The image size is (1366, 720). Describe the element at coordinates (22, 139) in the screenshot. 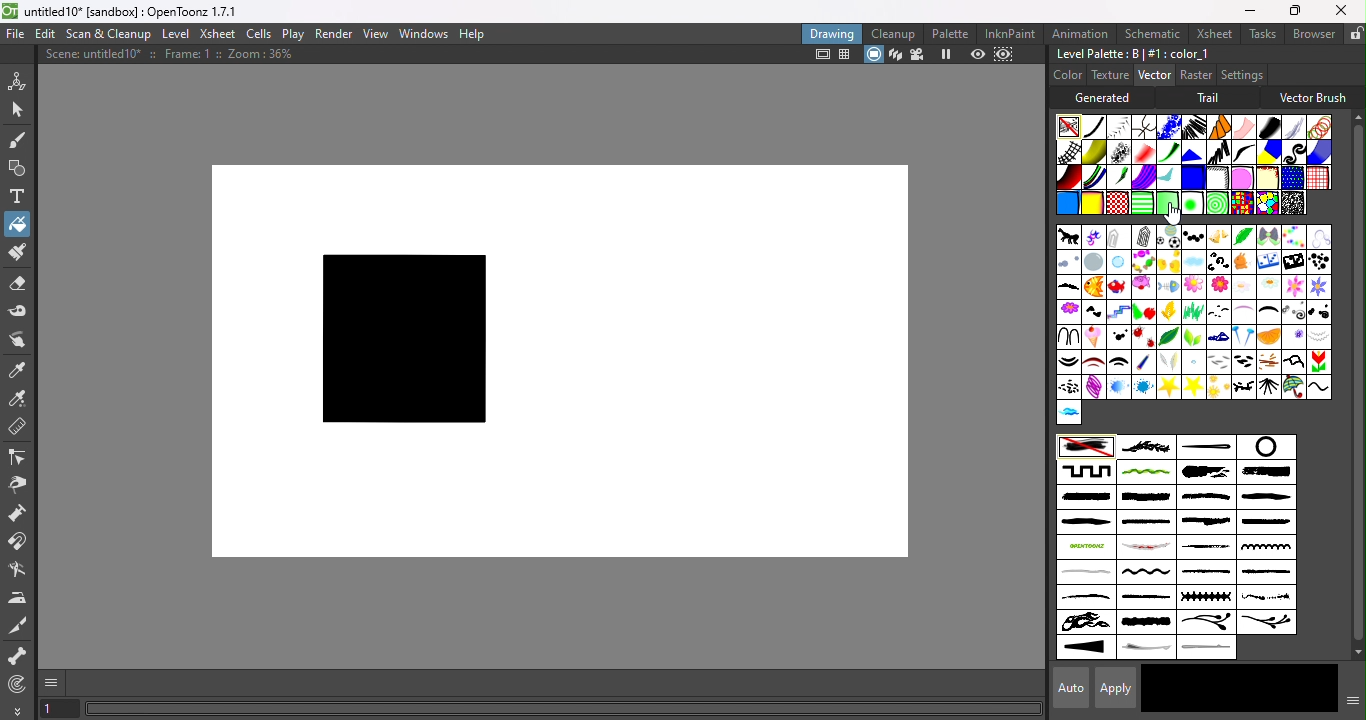

I see `Brush tool` at that location.